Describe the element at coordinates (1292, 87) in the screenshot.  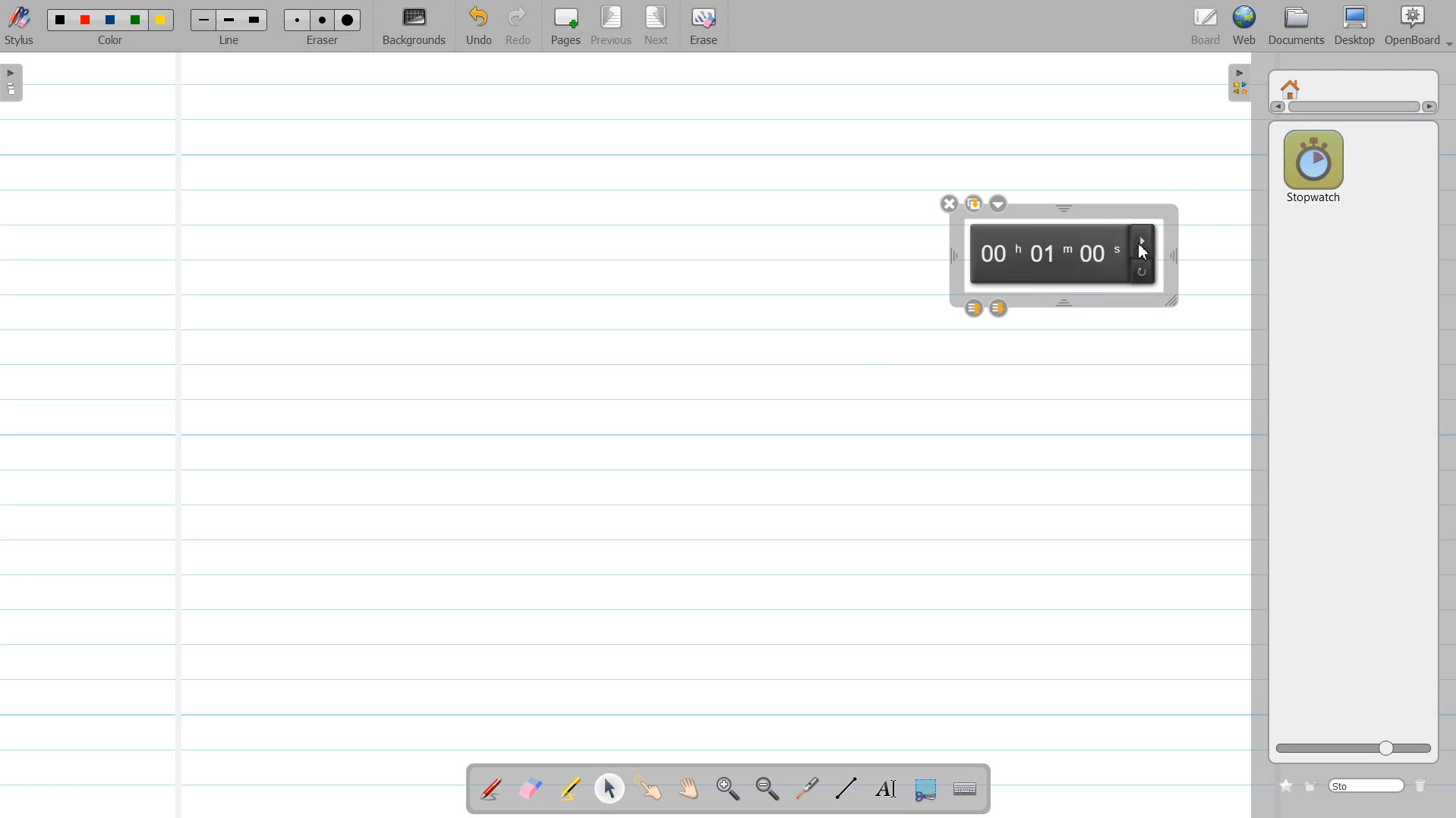
I see `Home window` at that location.